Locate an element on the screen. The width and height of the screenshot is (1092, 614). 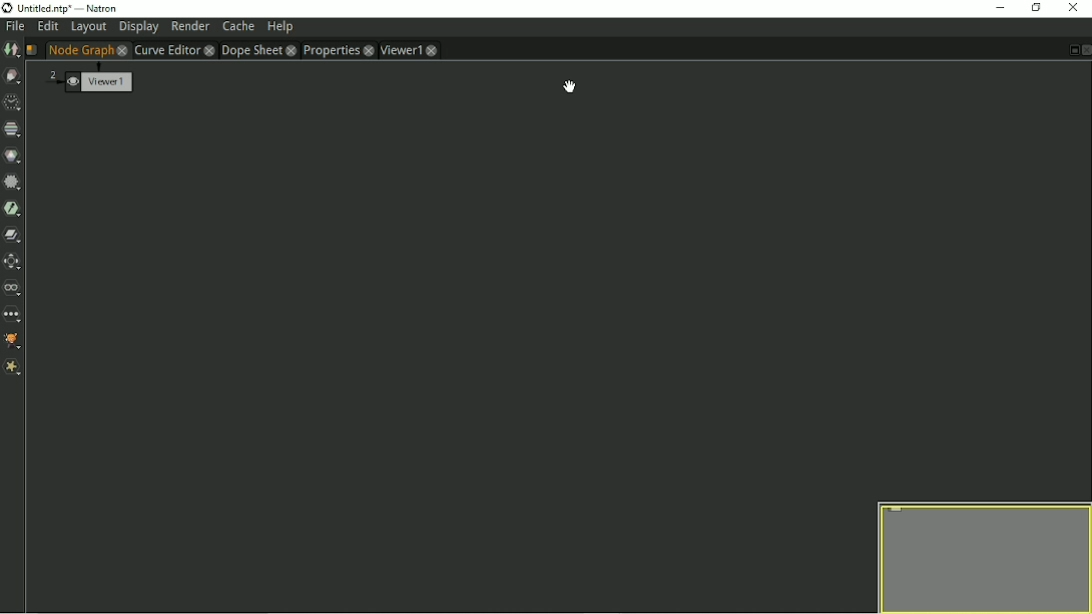
Cache is located at coordinates (238, 26).